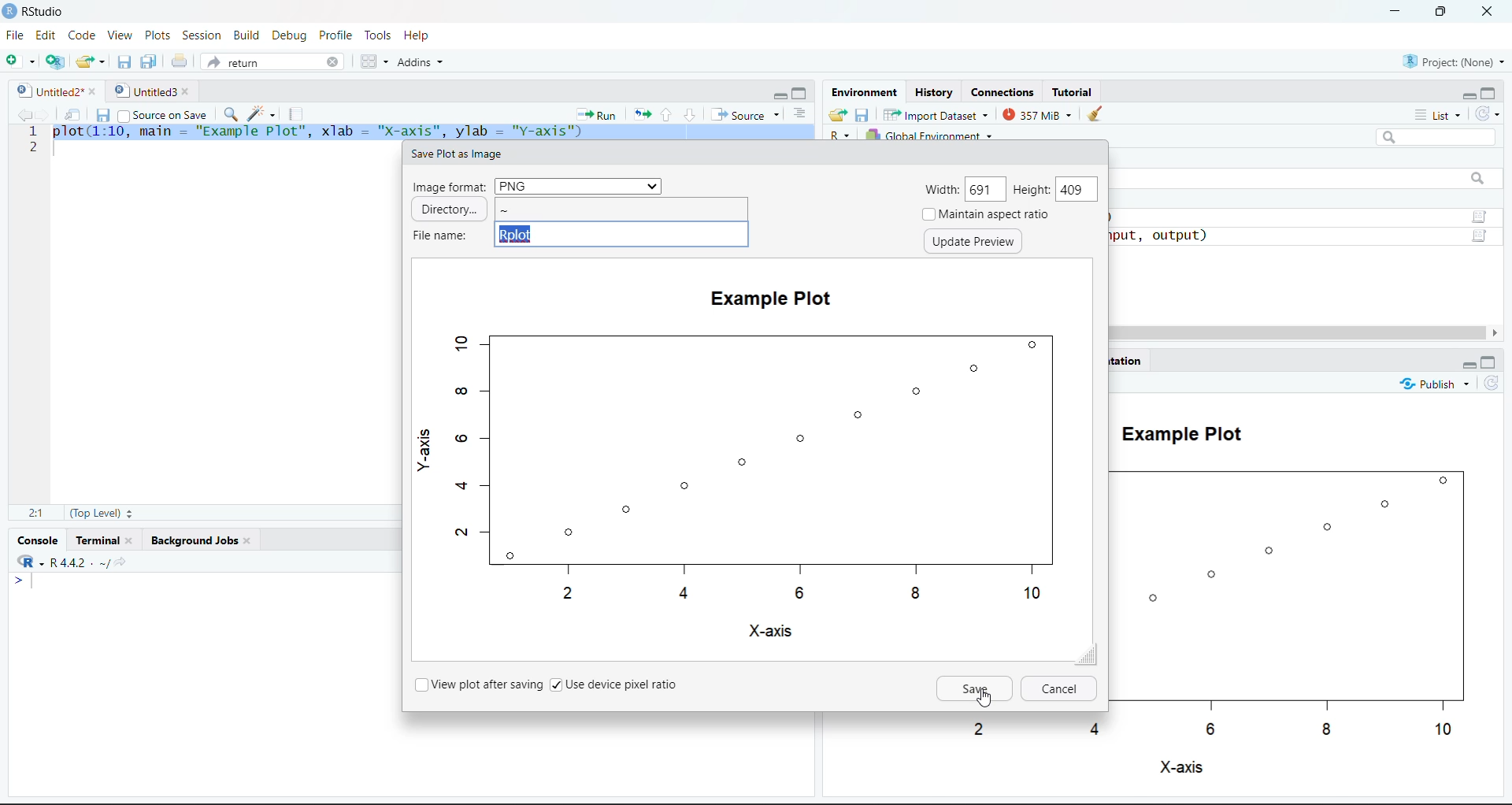 Image resolution: width=1512 pixels, height=805 pixels. I want to click on Create a project, so click(54, 61).